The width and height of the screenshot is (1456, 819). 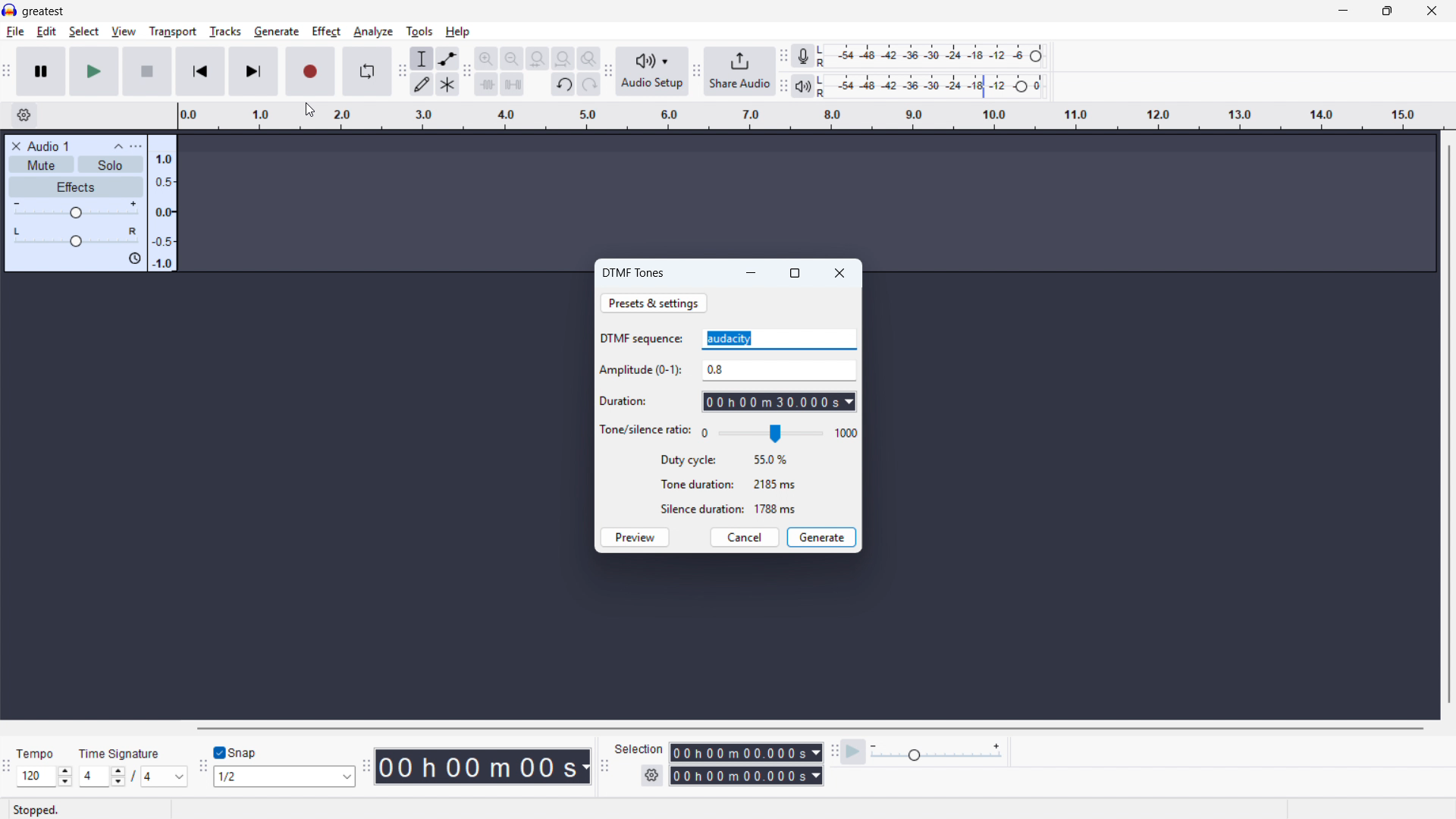 I want to click on Snapping toolbar , so click(x=200, y=768).